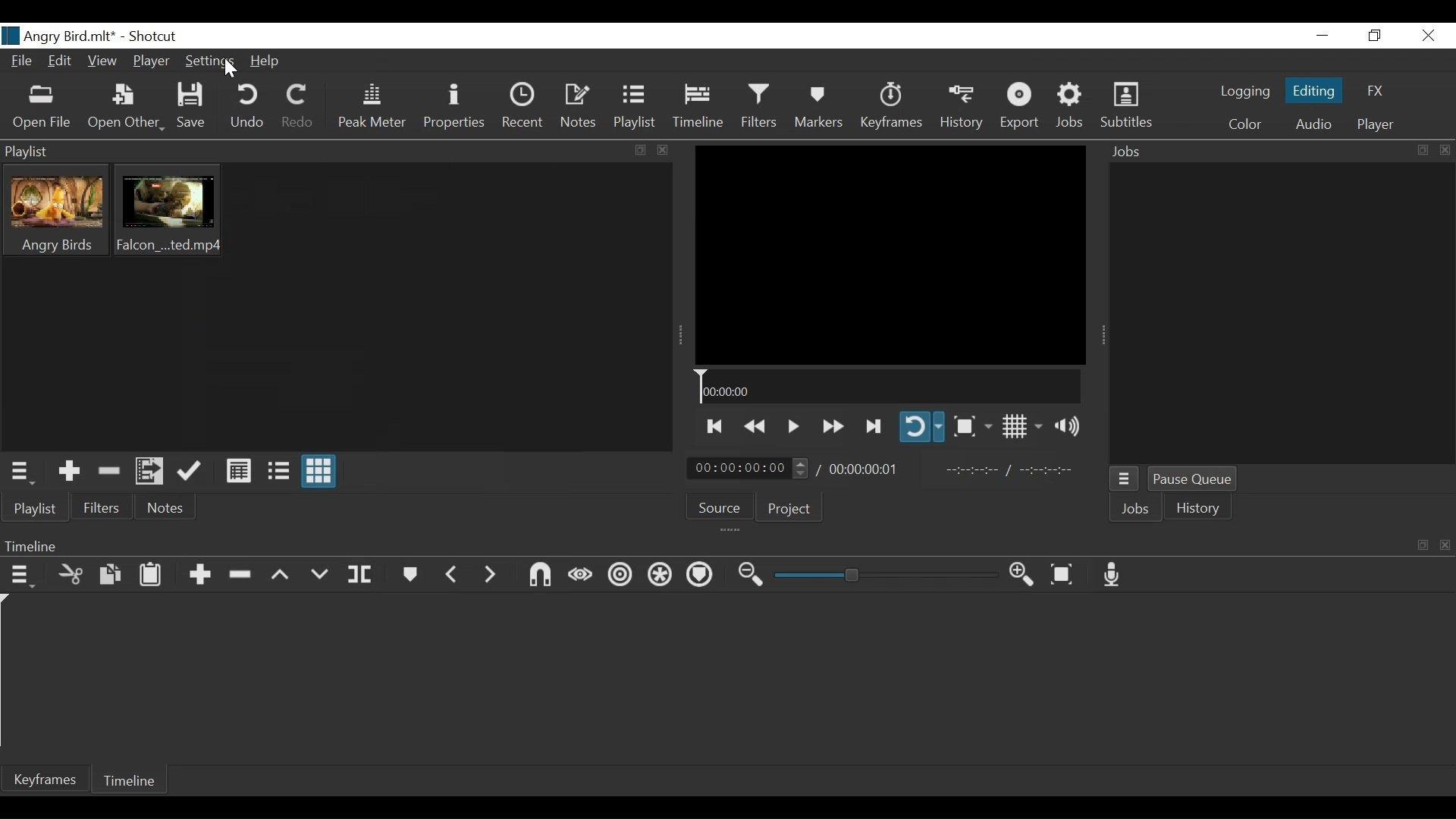  Describe the element at coordinates (298, 109) in the screenshot. I see `Redo` at that location.